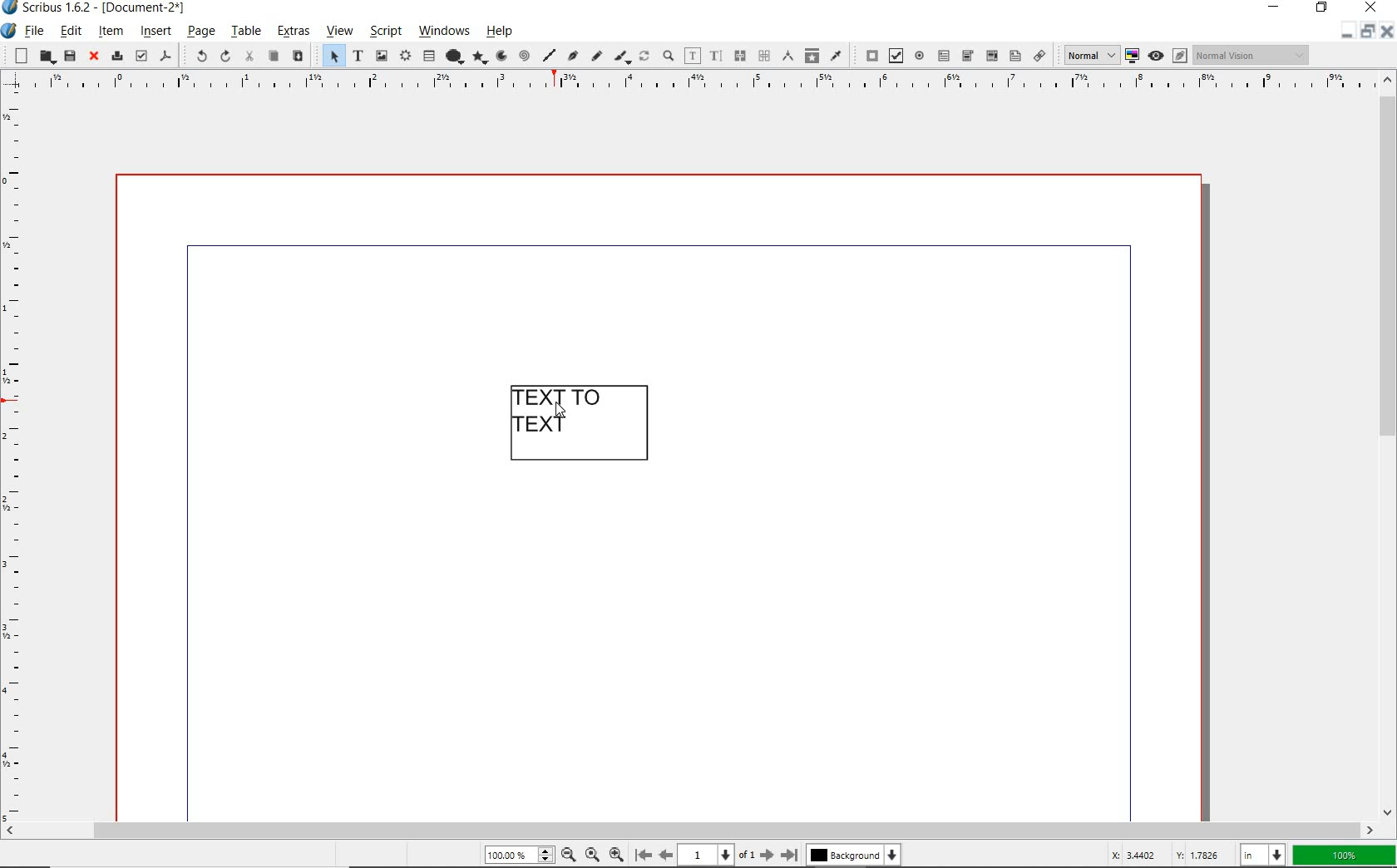  Describe the element at coordinates (583, 424) in the screenshot. I see `text frame` at that location.